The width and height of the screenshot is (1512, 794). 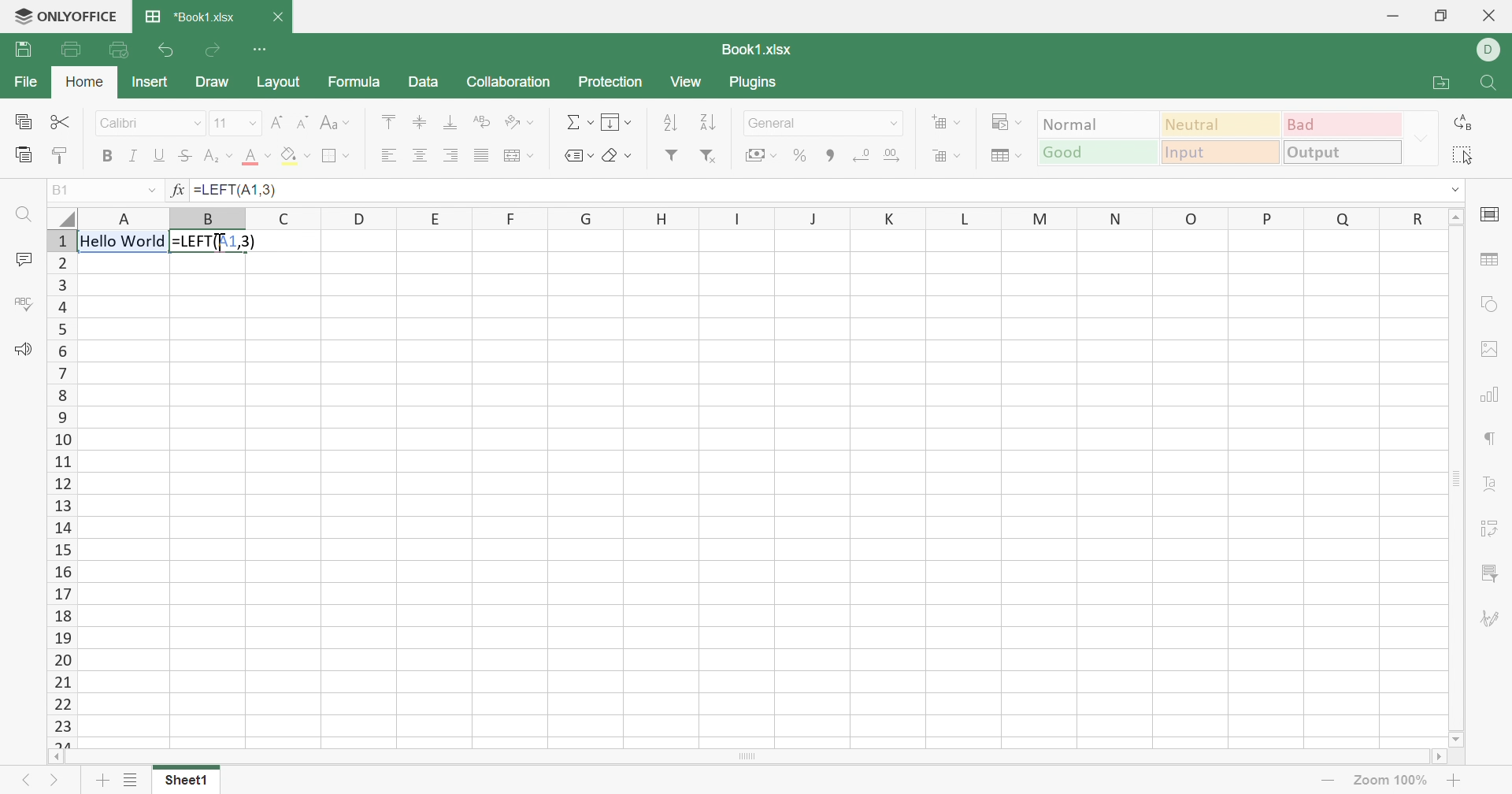 I want to click on Select all, so click(x=1461, y=154).